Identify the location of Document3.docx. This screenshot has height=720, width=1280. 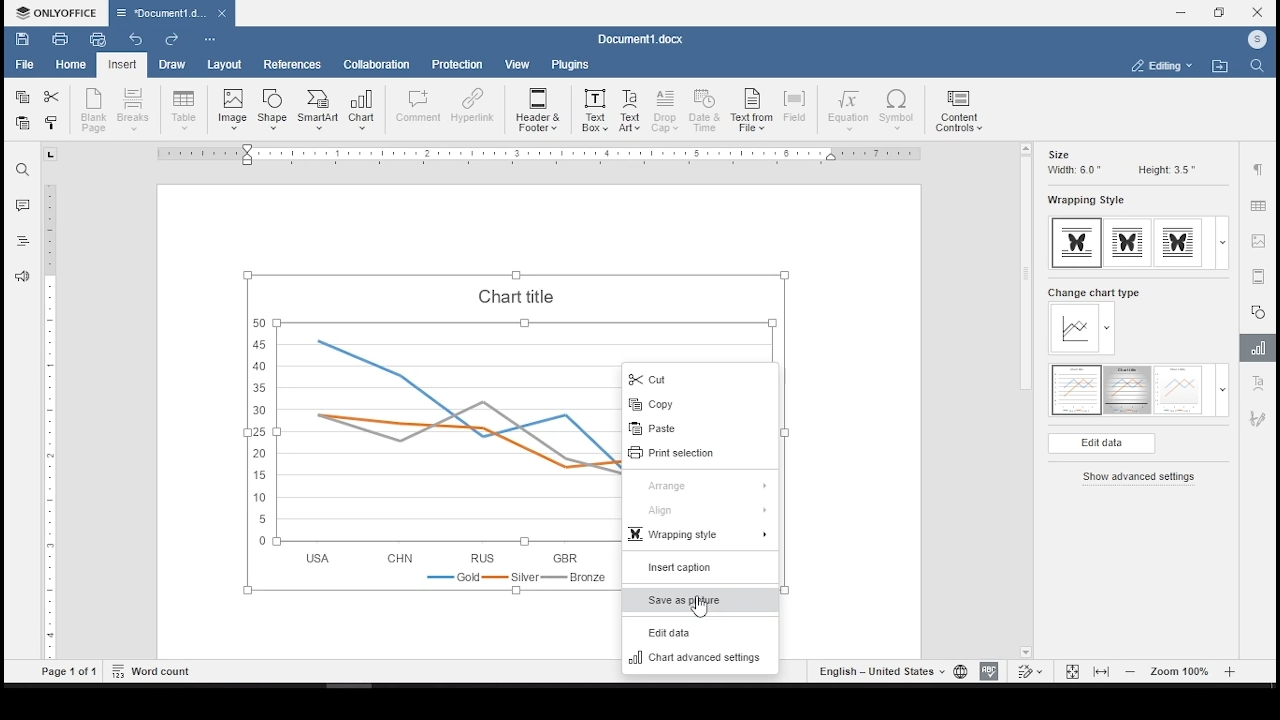
(174, 12).